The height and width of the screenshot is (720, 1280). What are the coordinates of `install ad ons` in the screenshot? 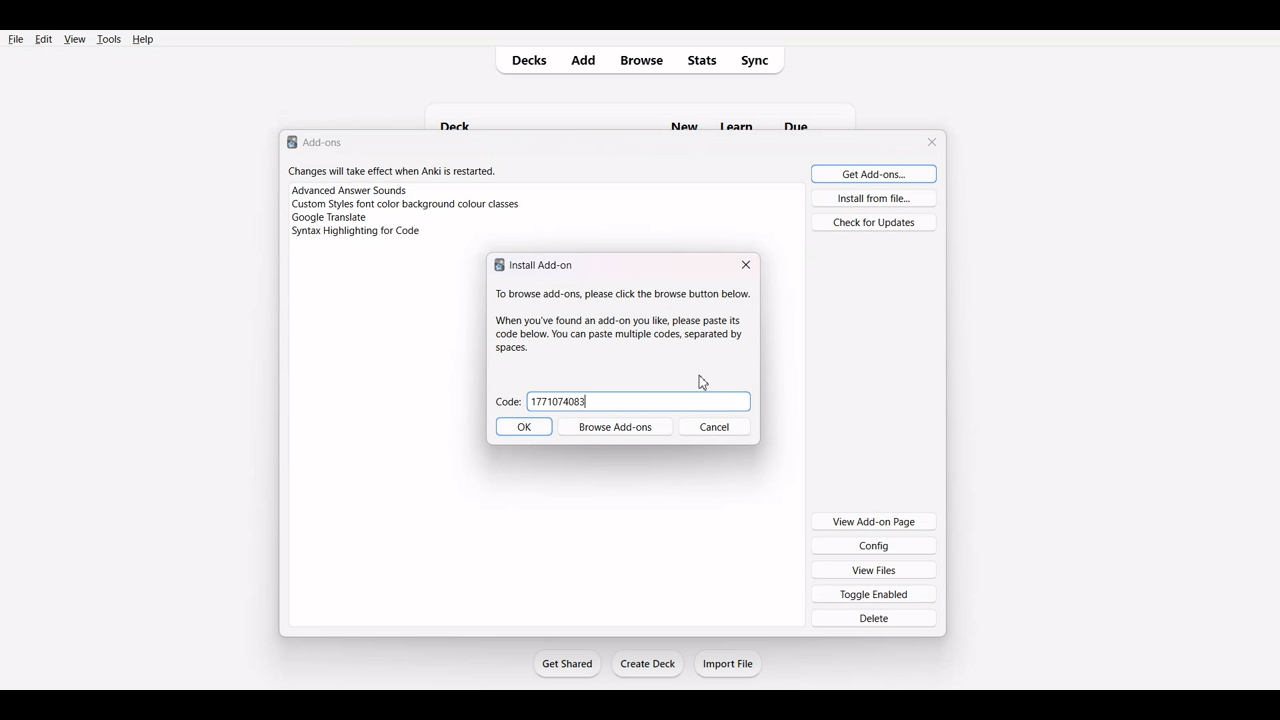 It's located at (537, 265).